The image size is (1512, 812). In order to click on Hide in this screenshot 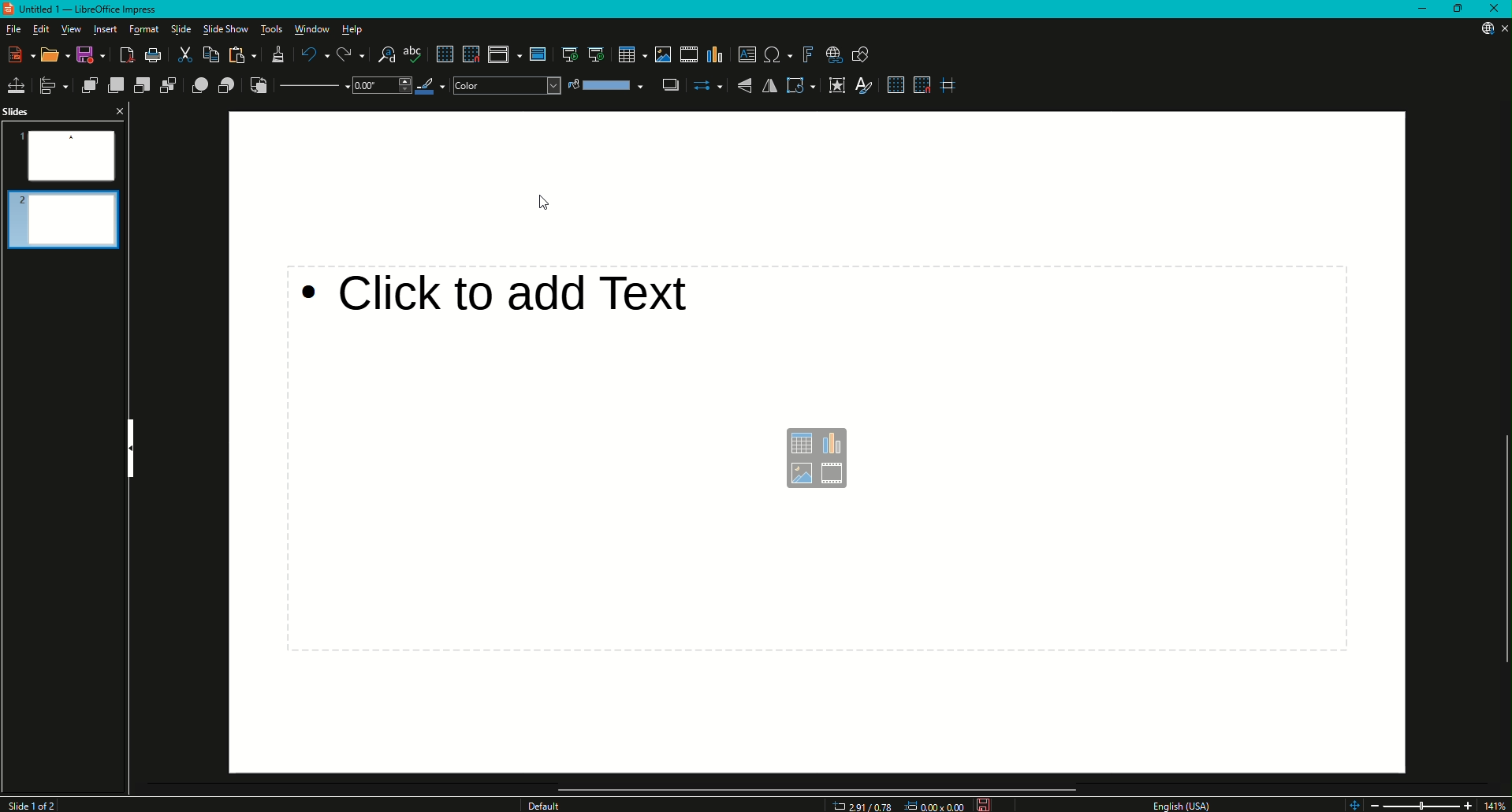, I will do `click(132, 442)`.